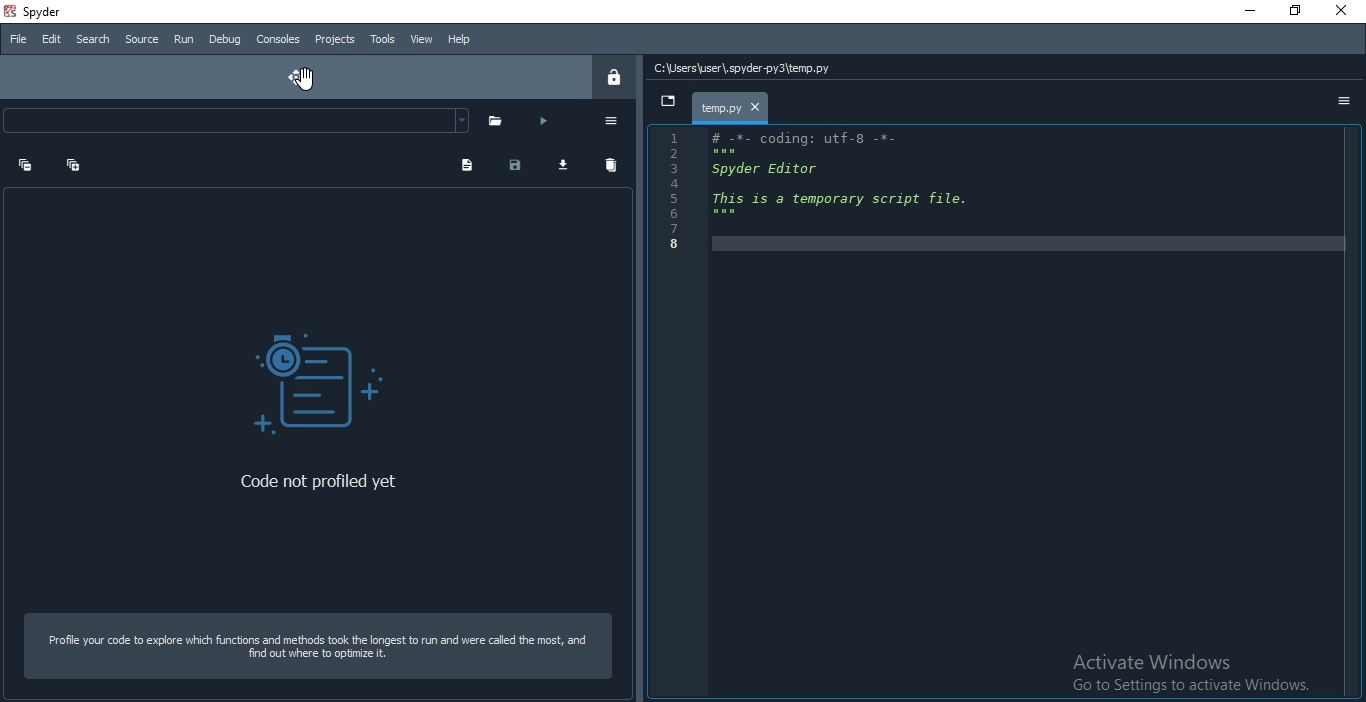  What do you see at coordinates (142, 40) in the screenshot?
I see `Source` at bounding box center [142, 40].